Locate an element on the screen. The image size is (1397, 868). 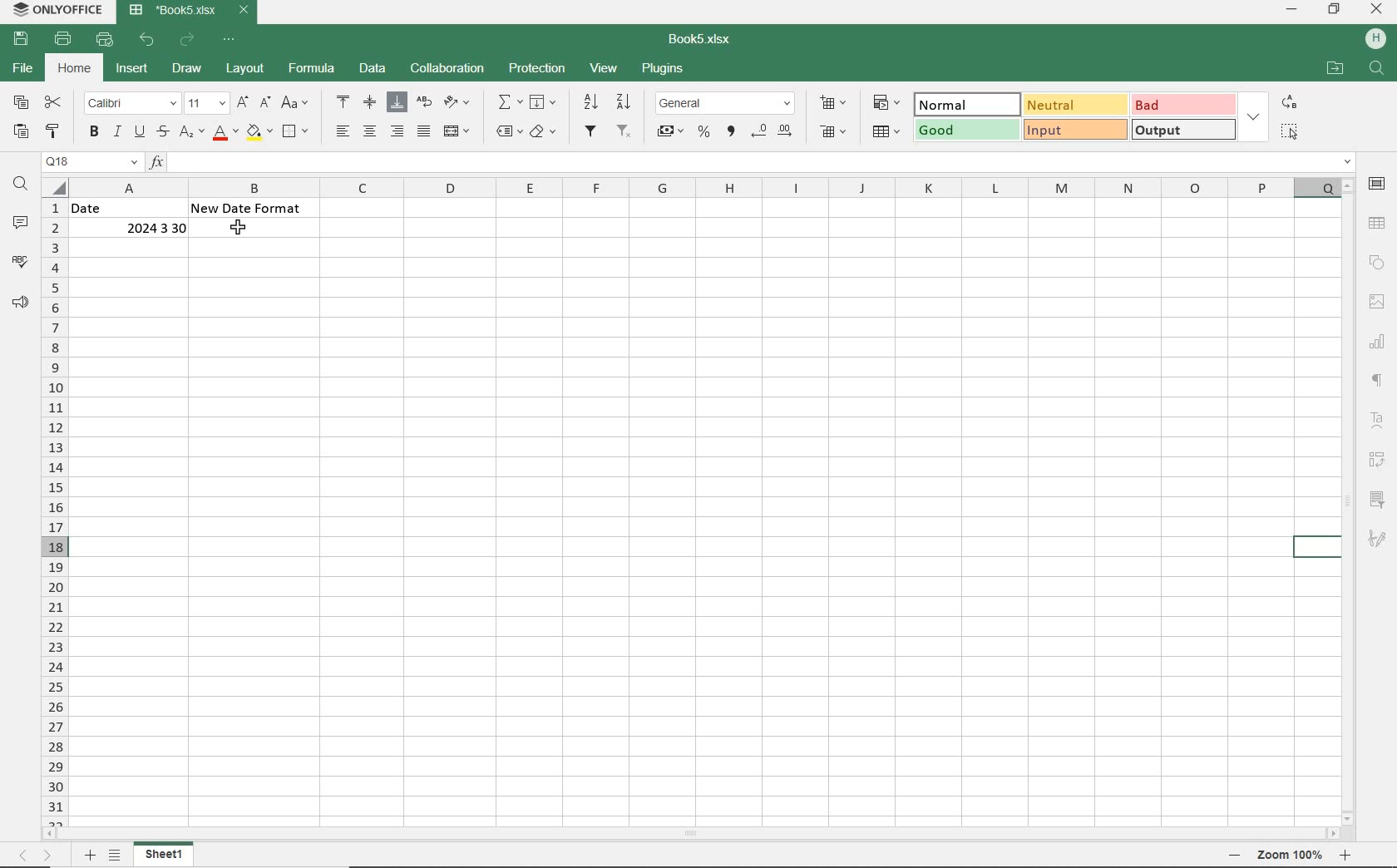
SELECT ALL is located at coordinates (1289, 131).